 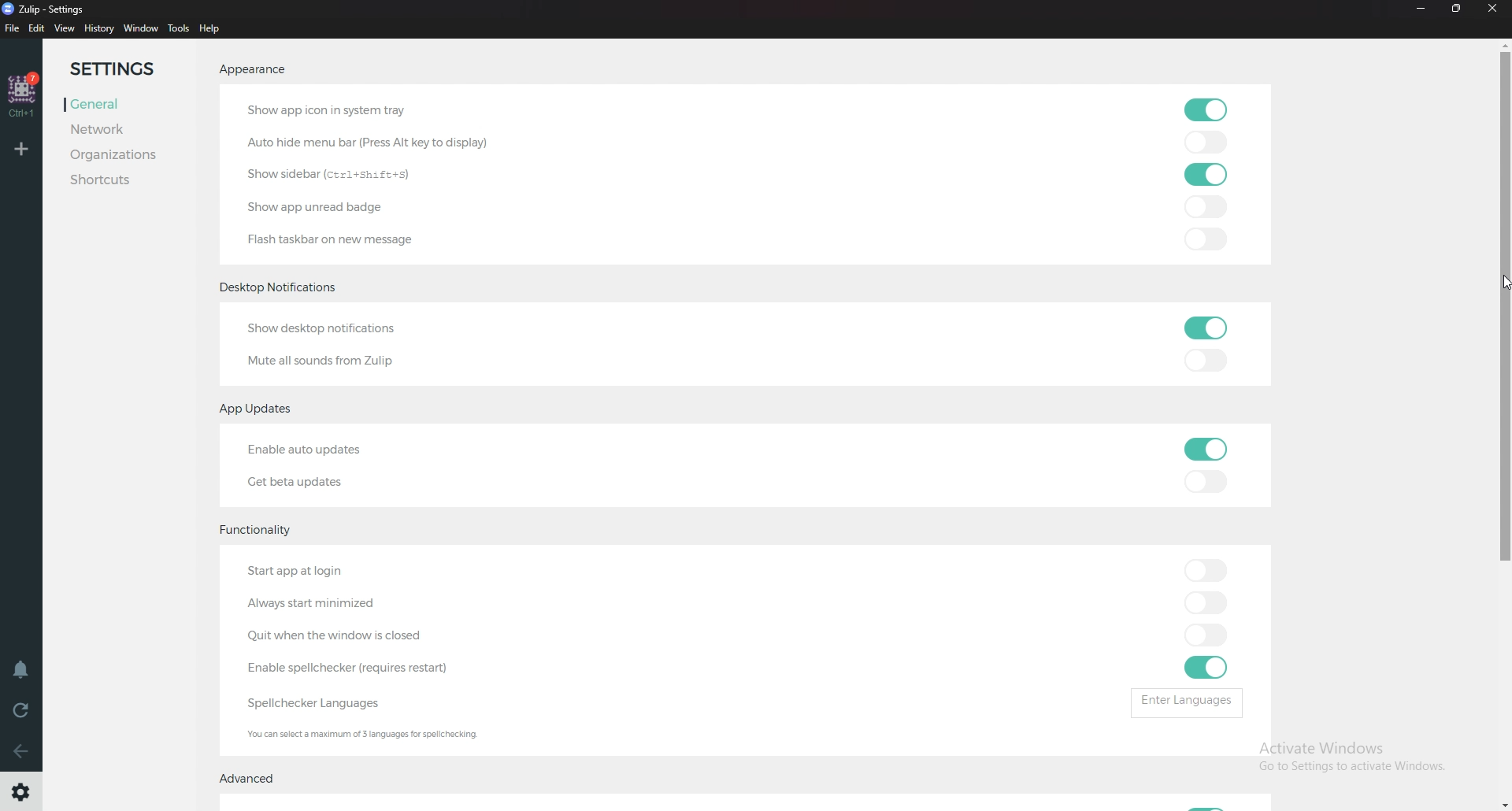 What do you see at coordinates (124, 69) in the screenshot?
I see `Settings` at bounding box center [124, 69].